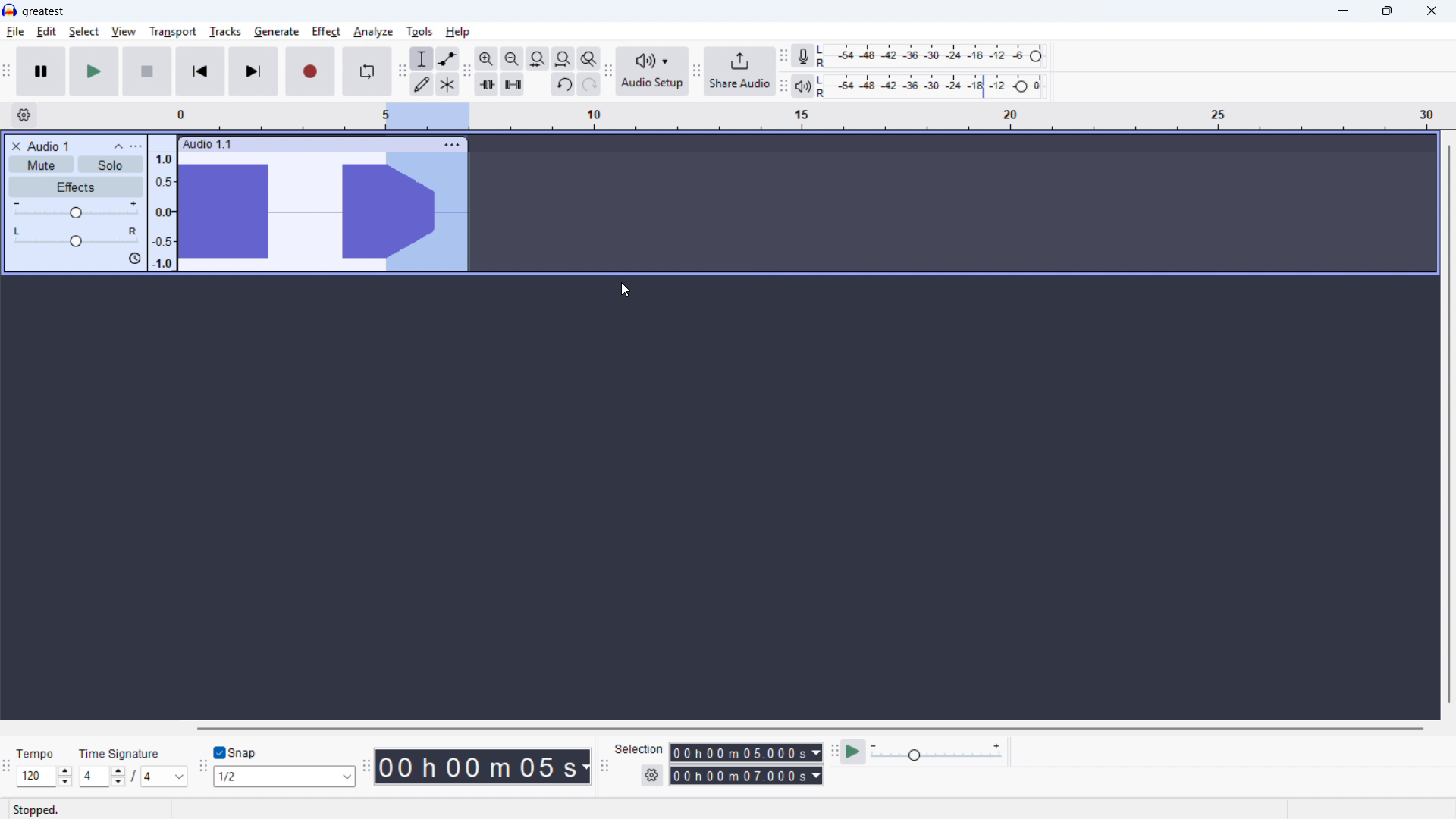  What do you see at coordinates (339, 143) in the screenshot?
I see `Click to drag ` at bounding box center [339, 143].